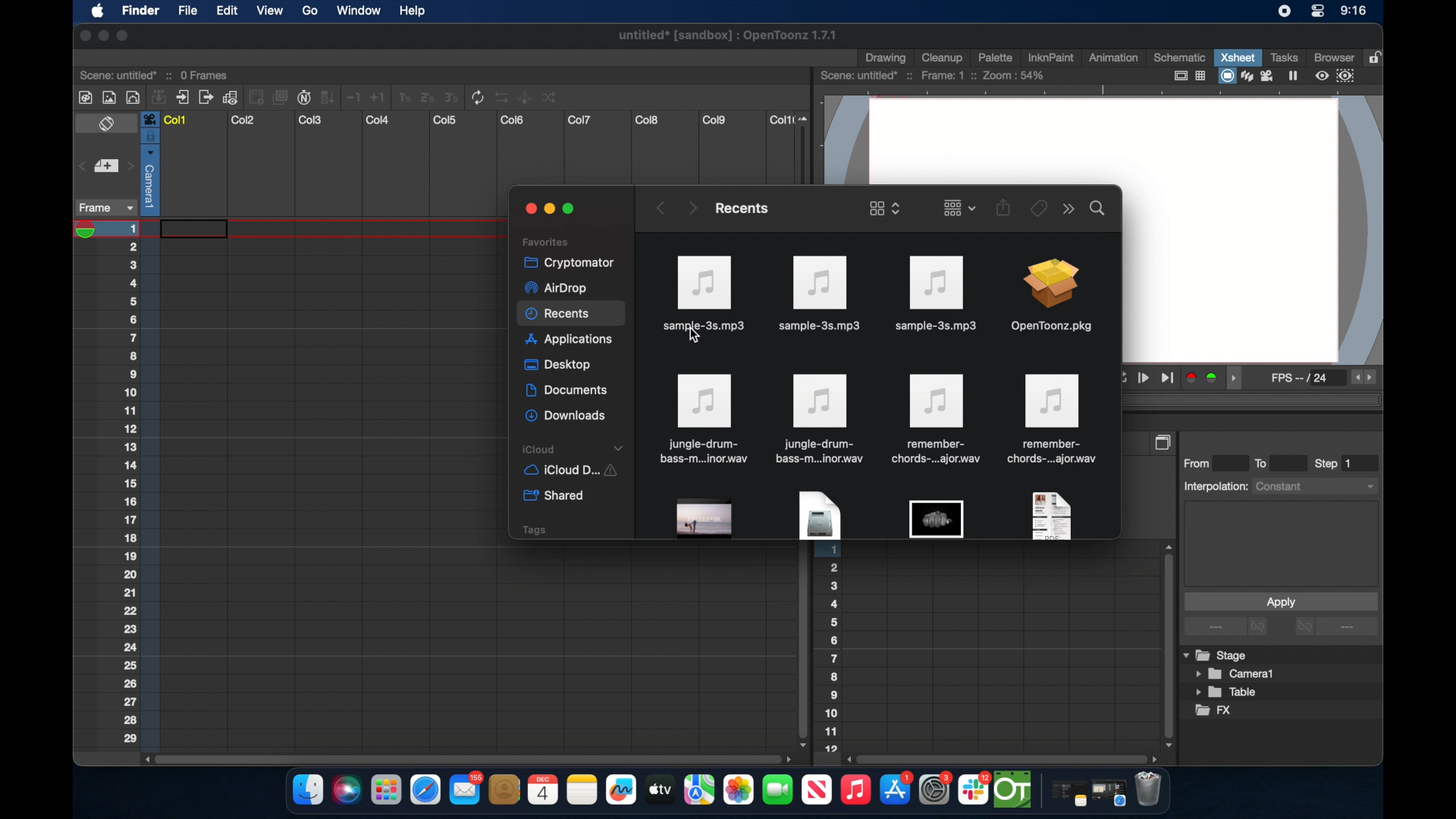  What do you see at coordinates (1260, 76) in the screenshot?
I see `view modes` at bounding box center [1260, 76].